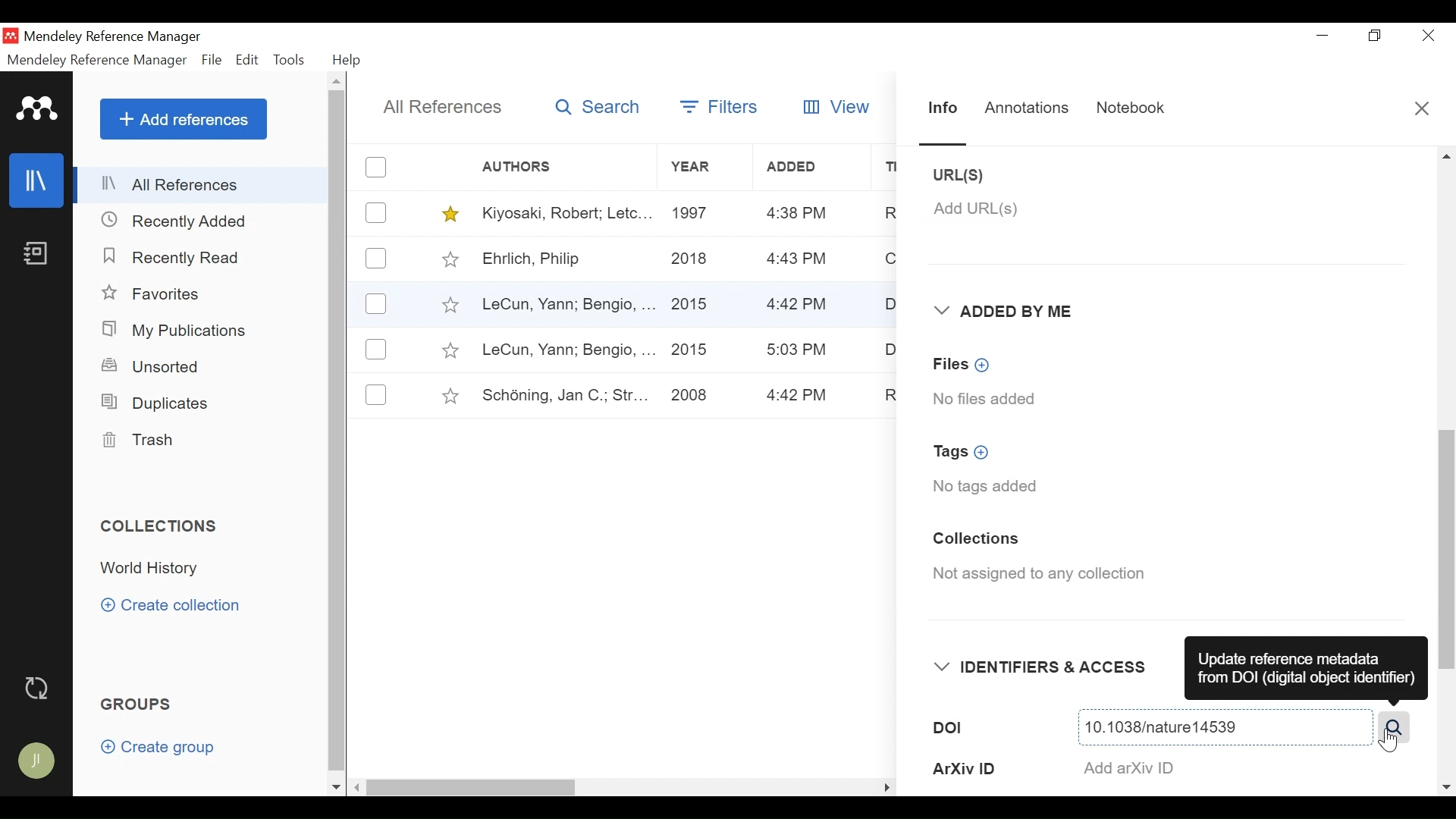  I want to click on Trash, so click(137, 441).